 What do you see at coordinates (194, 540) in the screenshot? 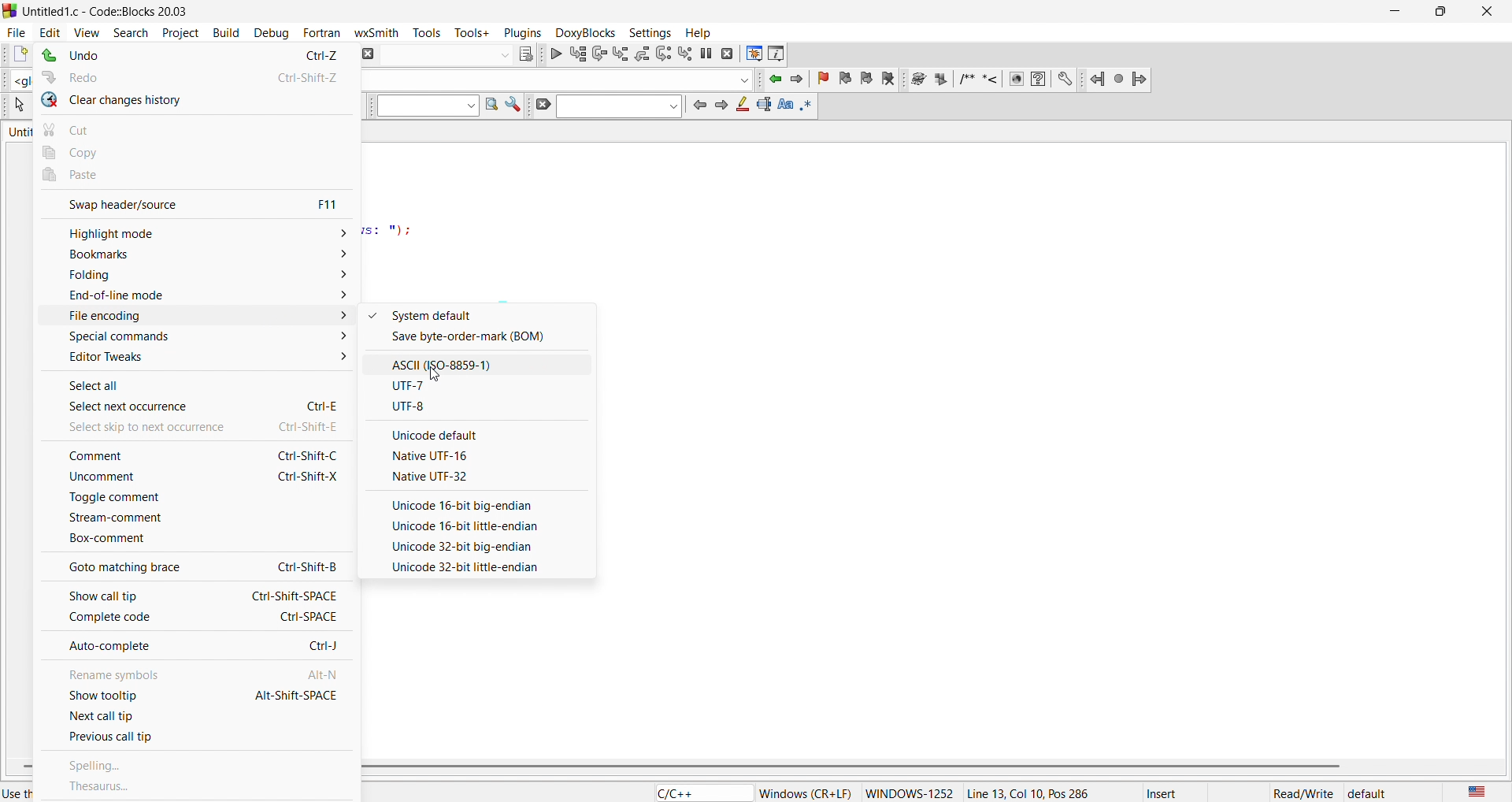
I see `box comment ` at bounding box center [194, 540].